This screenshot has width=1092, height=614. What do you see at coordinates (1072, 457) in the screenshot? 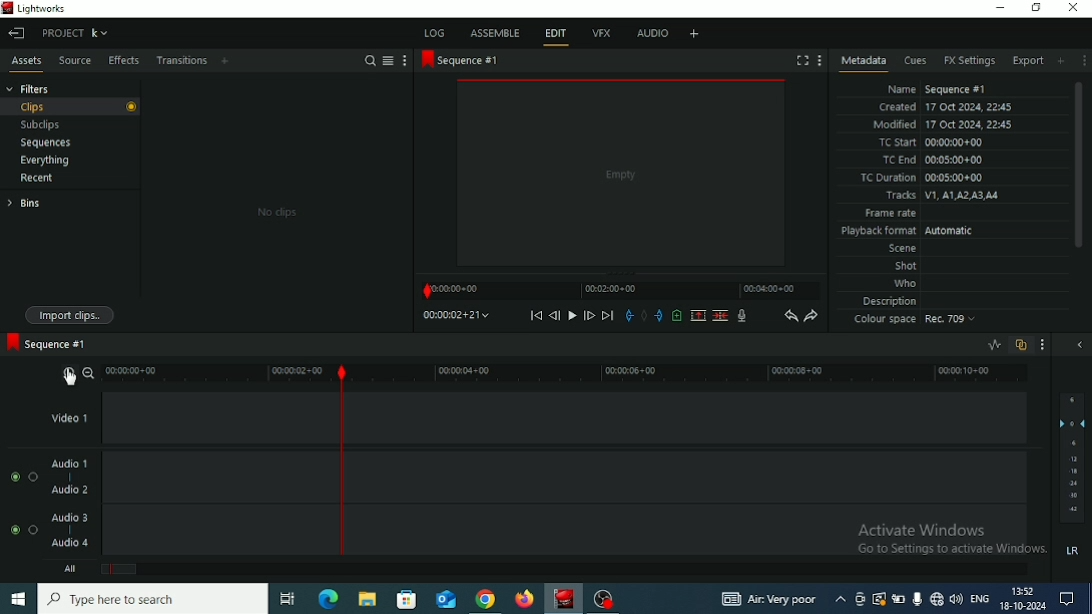
I see `Audio output level ` at bounding box center [1072, 457].